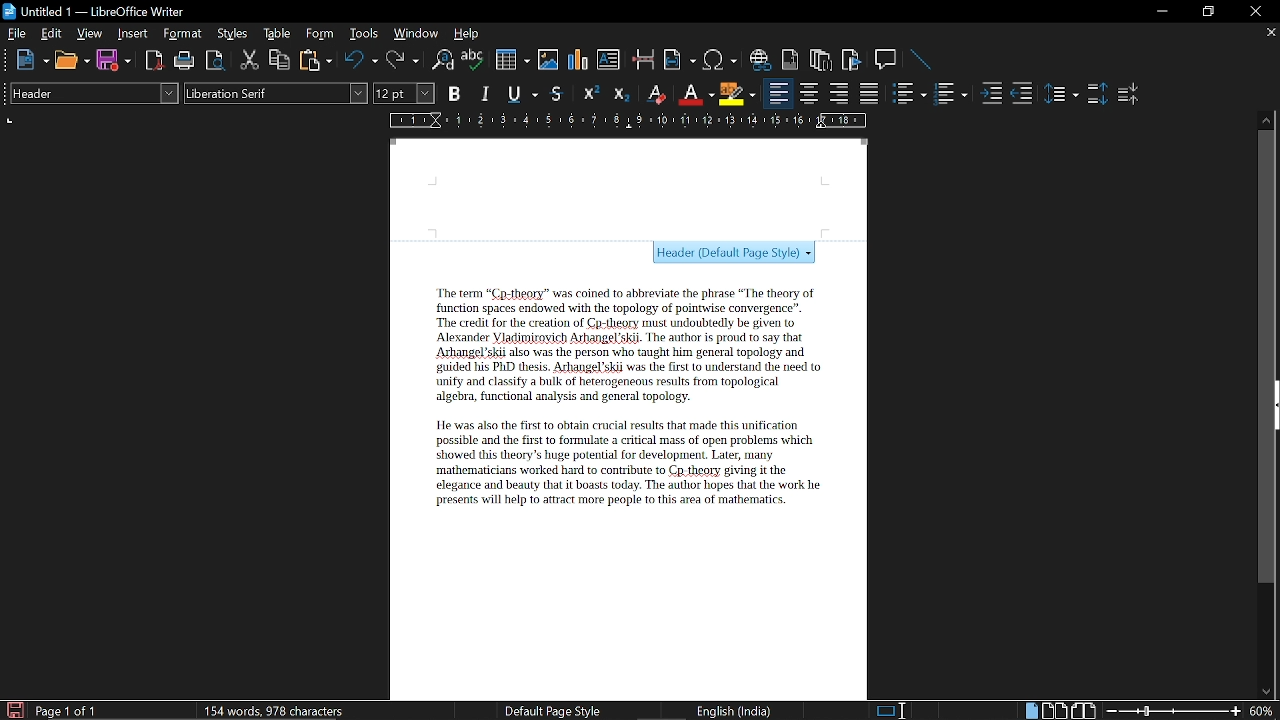 The image size is (1280, 720). What do you see at coordinates (214, 61) in the screenshot?
I see `Toggle preview` at bounding box center [214, 61].